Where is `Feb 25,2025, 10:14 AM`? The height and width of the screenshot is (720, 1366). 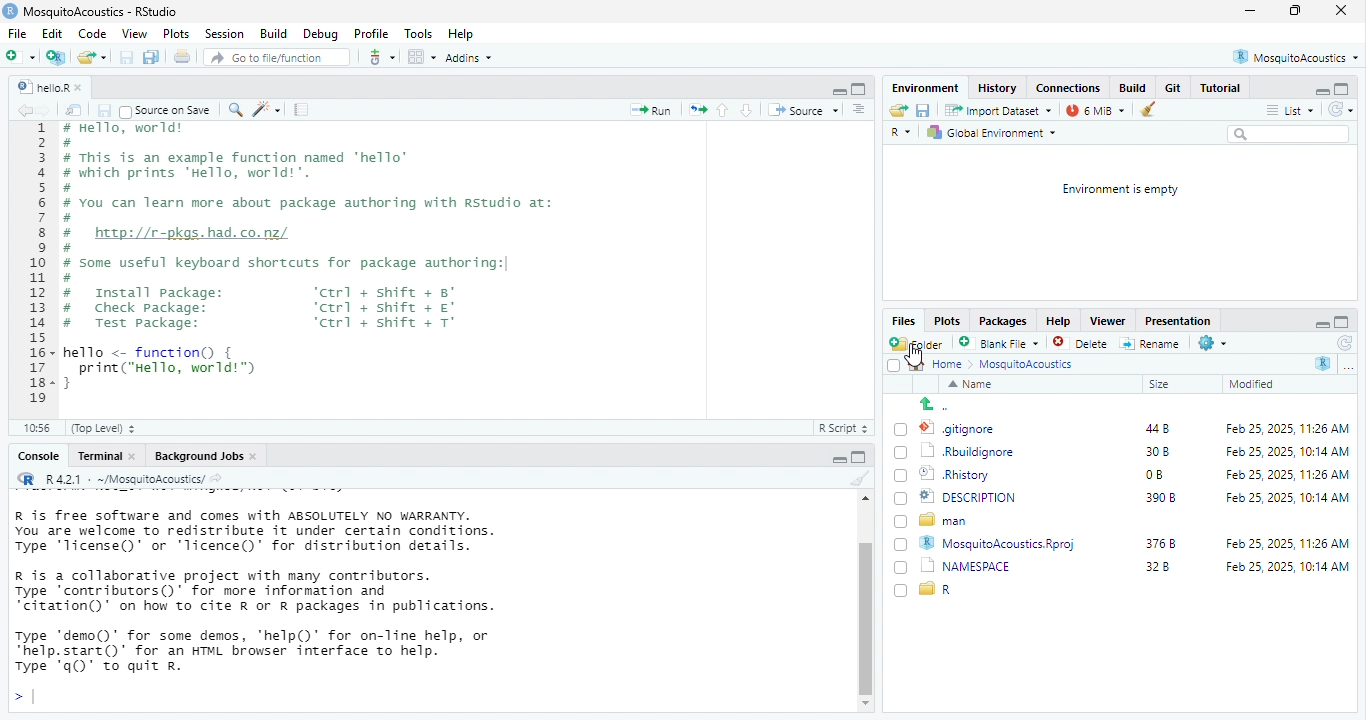 Feb 25,2025, 10:14 AM is located at coordinates (1289, 570).